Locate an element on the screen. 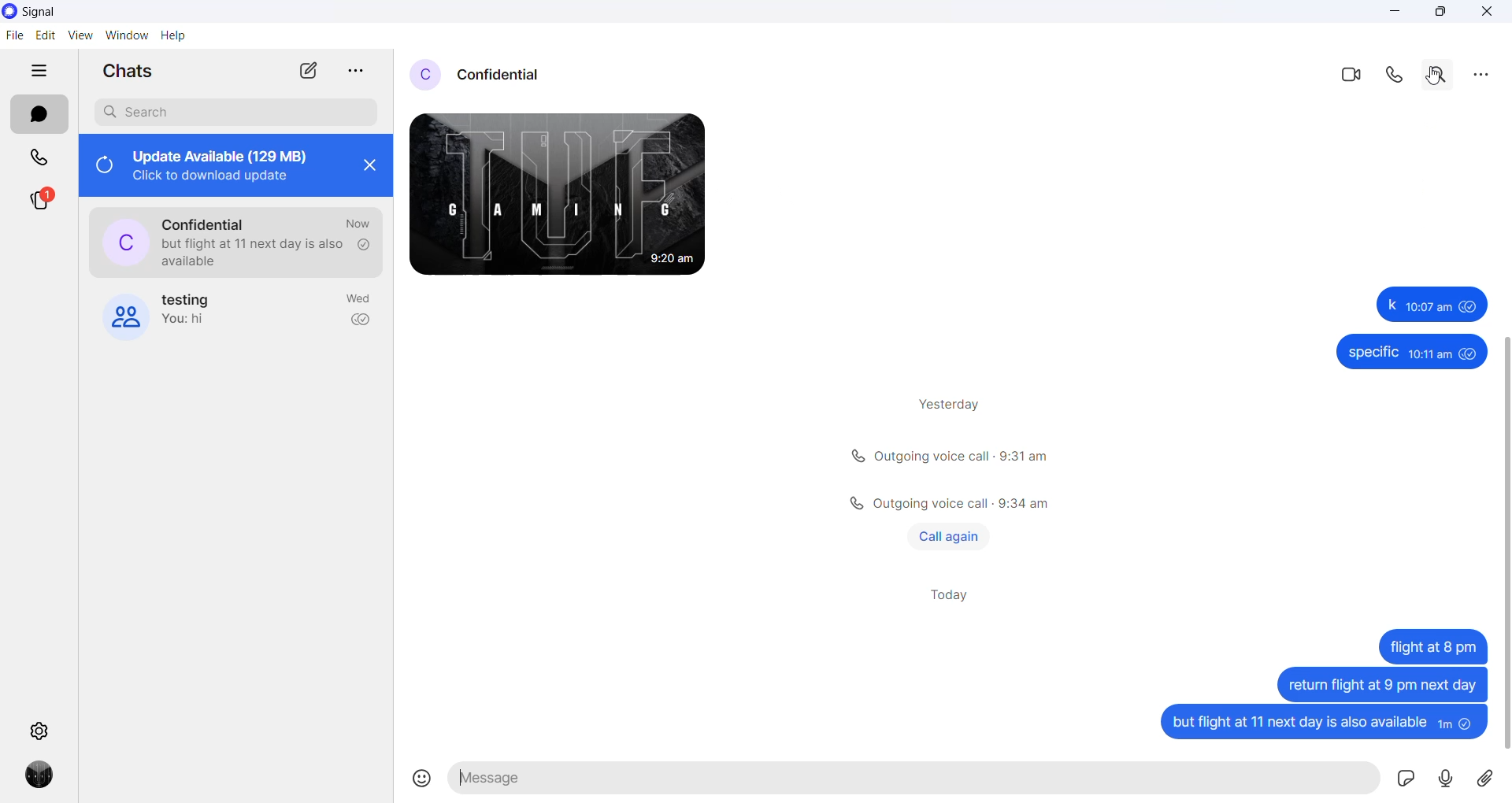 The image size is (1512, 803). video call is located at coordinates (1355, 73).